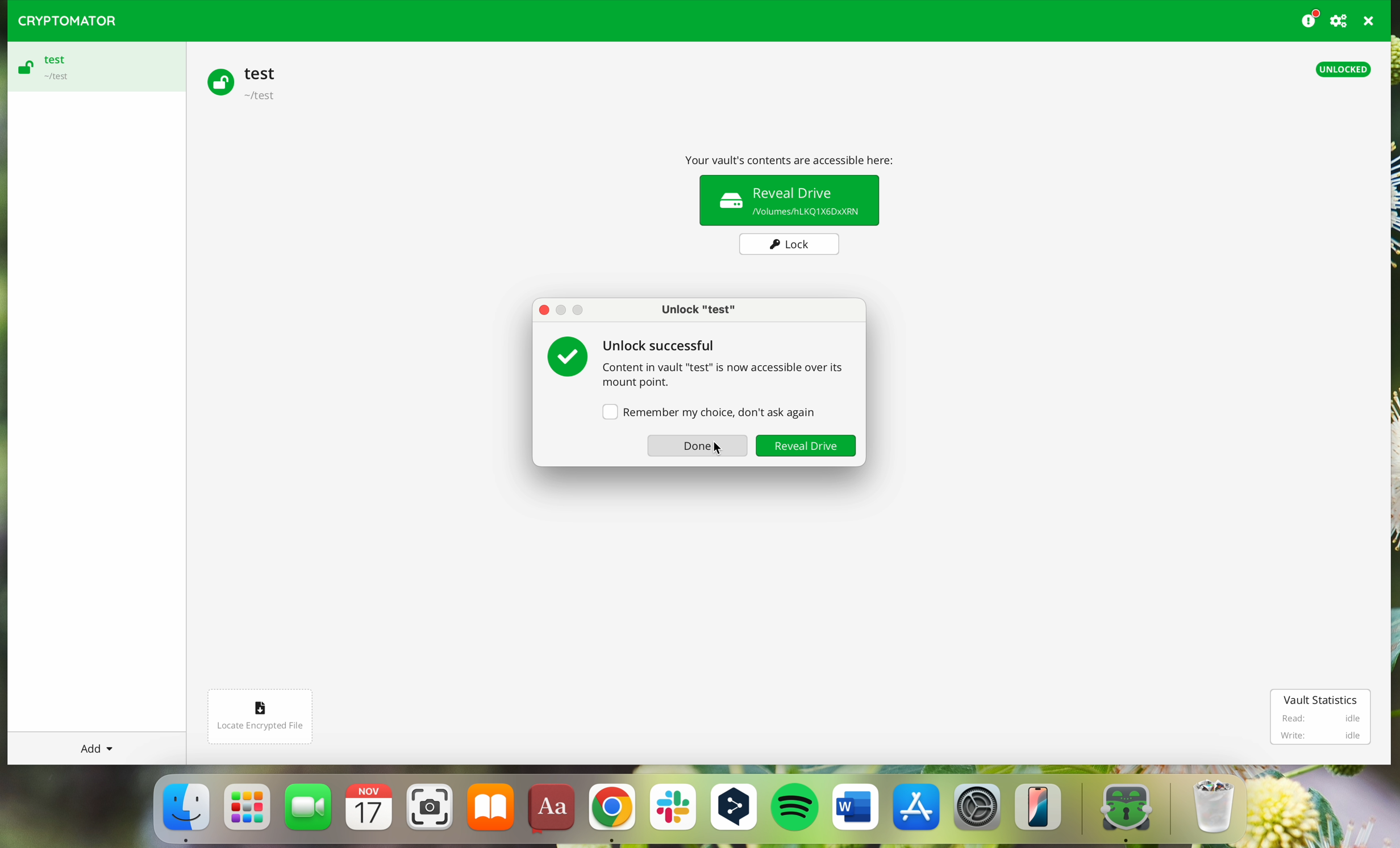 The height and width of the screenshot is (848, 1400). Describe the element at coordinates (672, 812) in the screenshot. I see `Slack` at that location.